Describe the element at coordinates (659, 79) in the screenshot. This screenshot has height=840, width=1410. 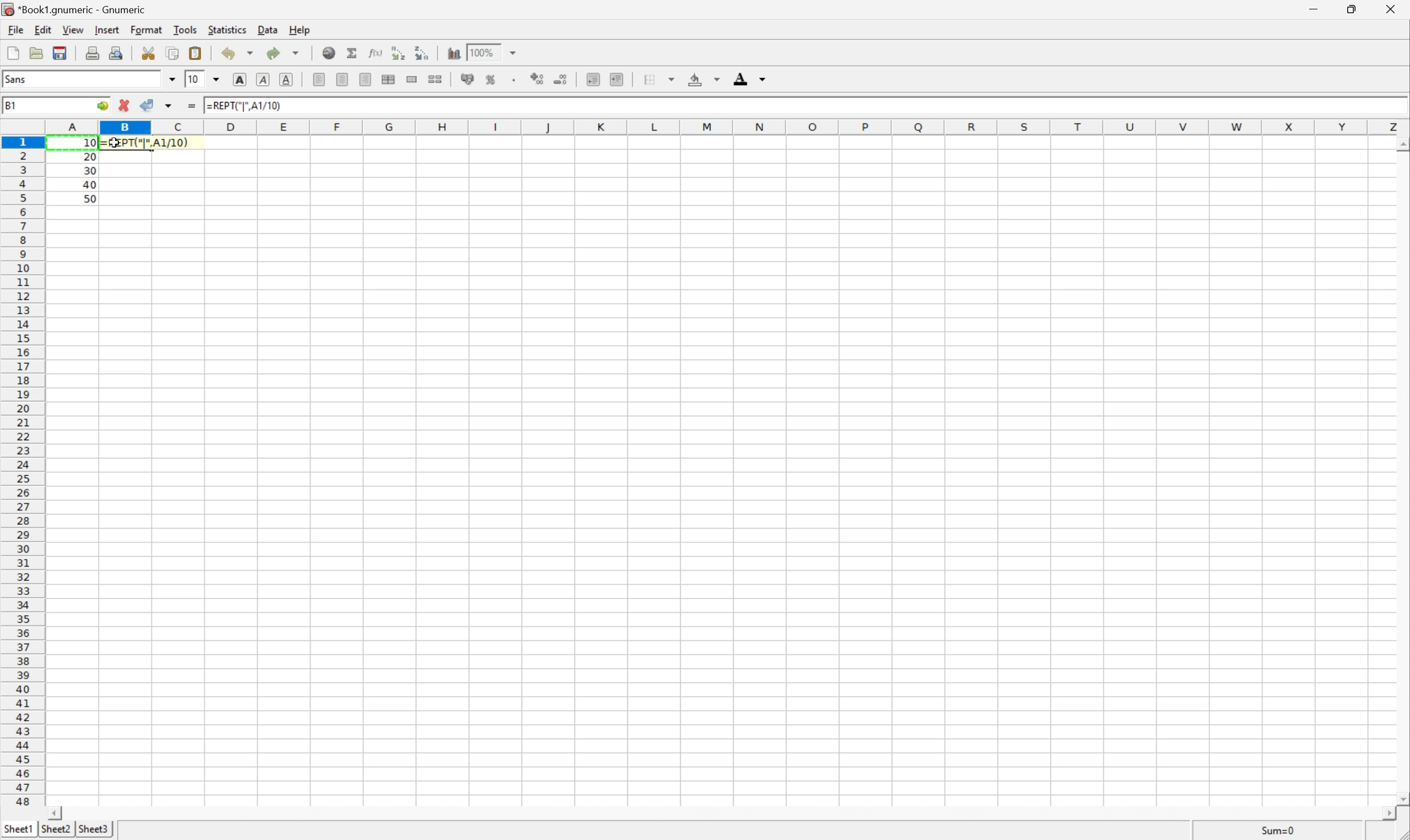
I see `Borders` at that location.